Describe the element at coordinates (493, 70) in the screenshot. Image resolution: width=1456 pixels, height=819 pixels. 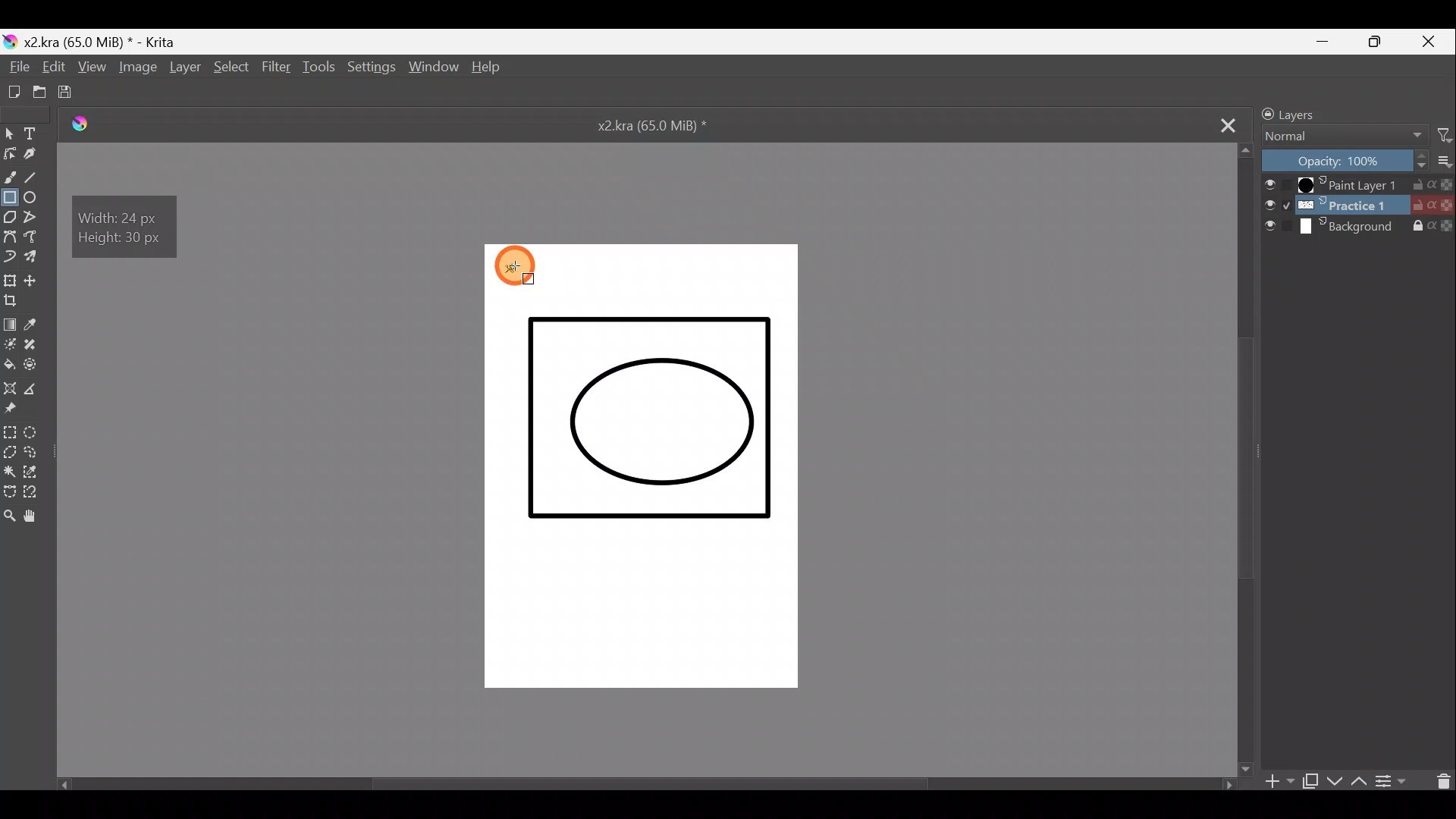
I see `Help` at that location.